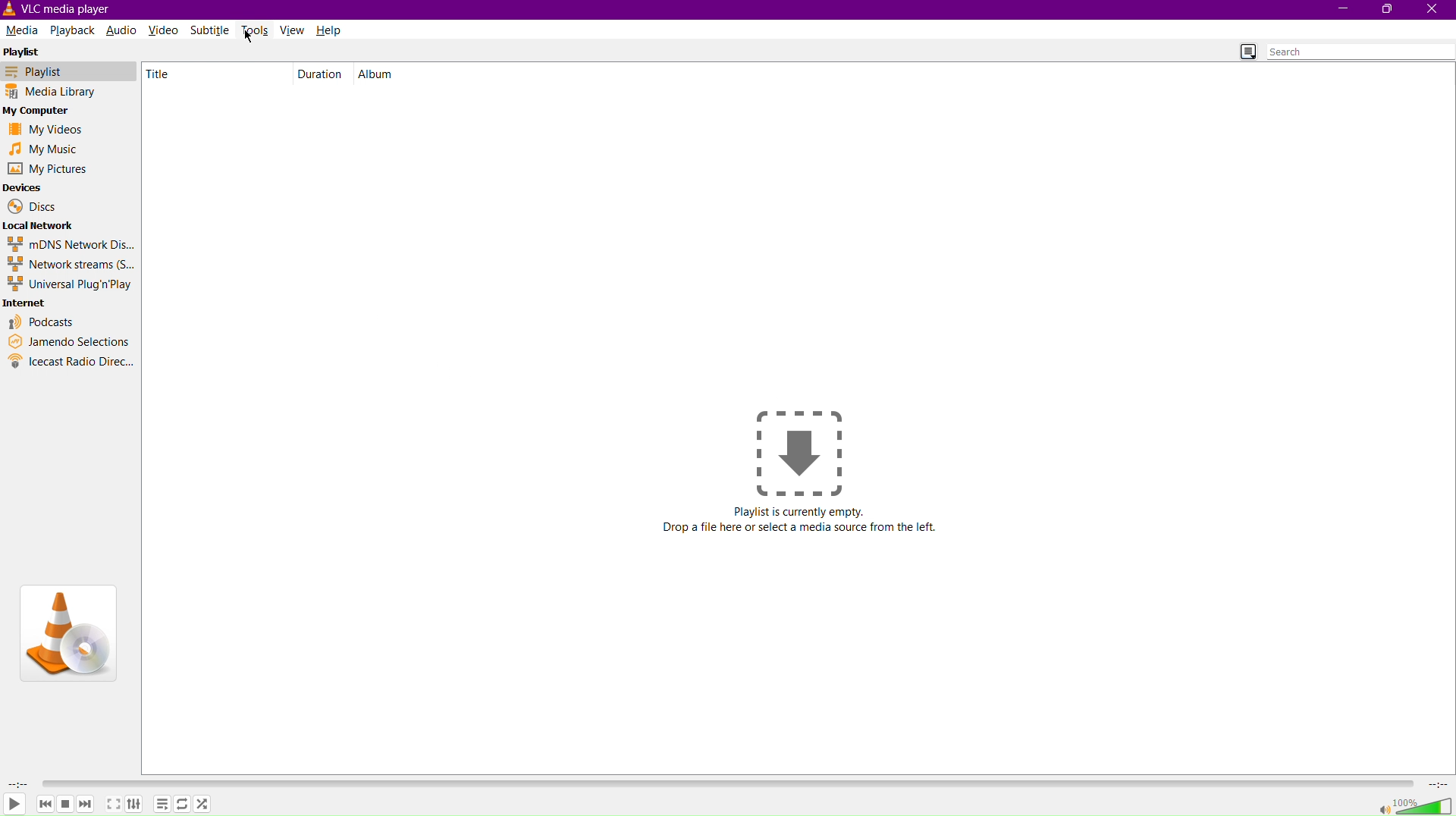 The width and height of the screenshot is (1456, 816). I want to click on Timeline, so click(734, 780).